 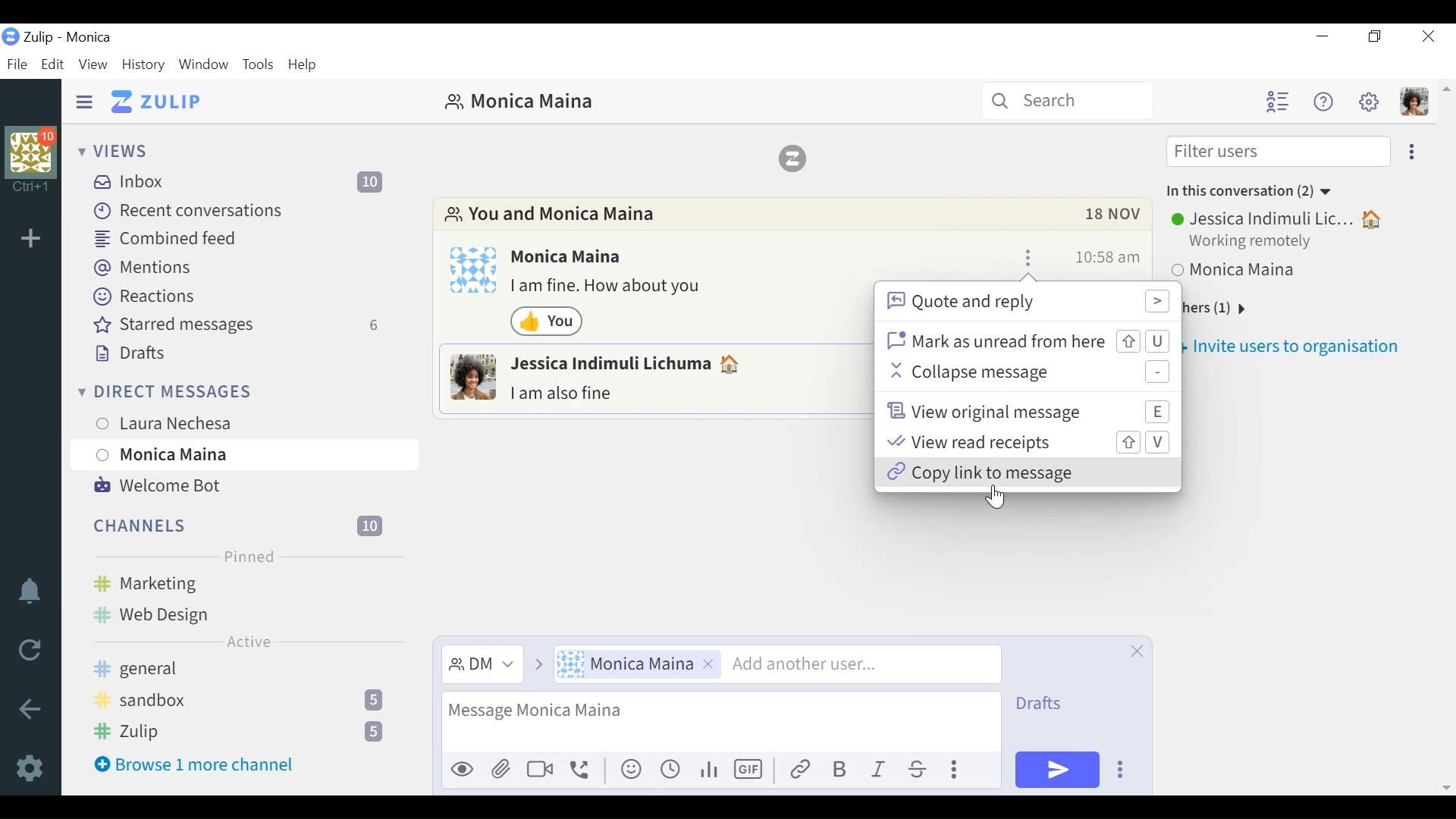 I want to click on Inbox, so click(x=243, y=181).